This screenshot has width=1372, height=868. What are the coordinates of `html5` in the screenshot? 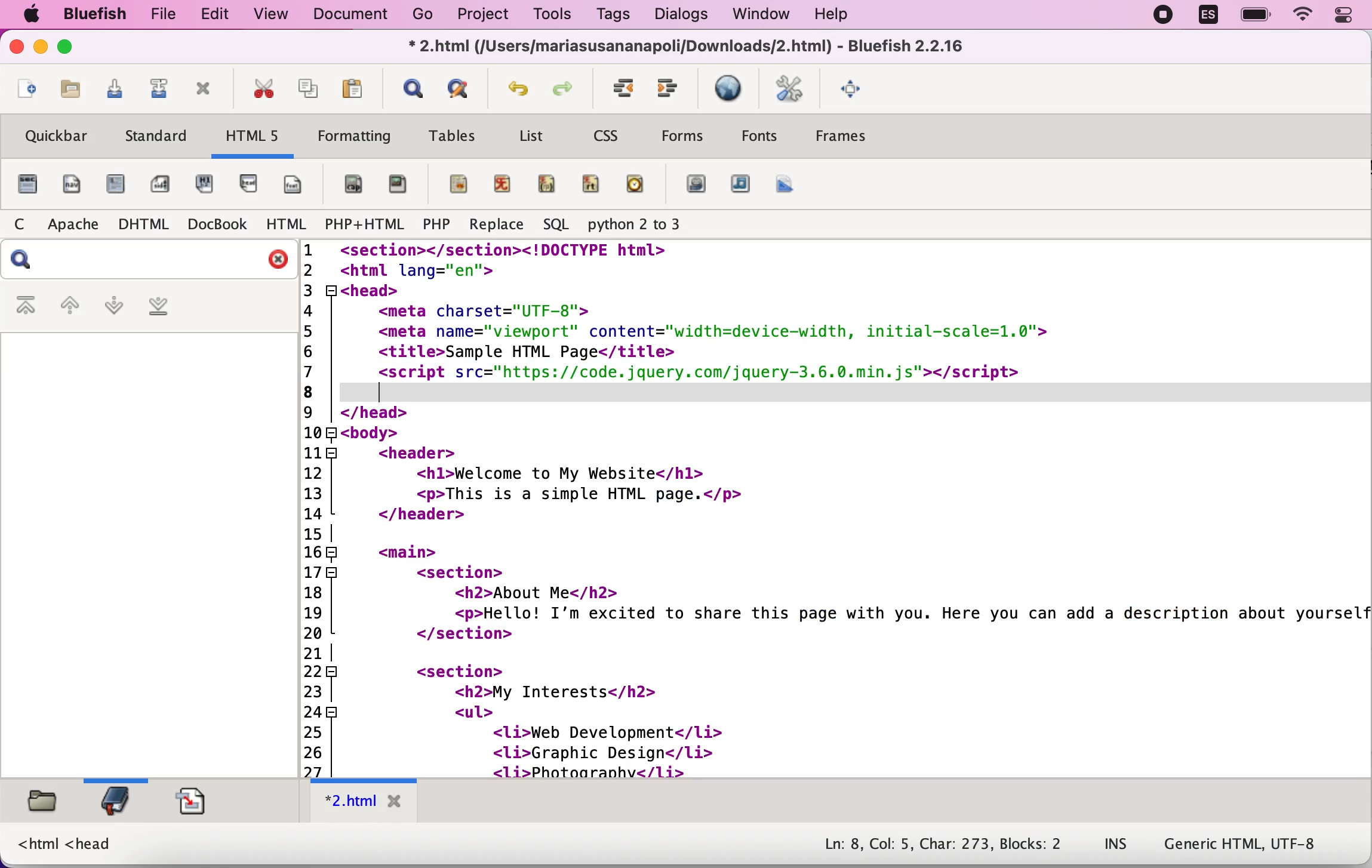 It's located at (255, 139).